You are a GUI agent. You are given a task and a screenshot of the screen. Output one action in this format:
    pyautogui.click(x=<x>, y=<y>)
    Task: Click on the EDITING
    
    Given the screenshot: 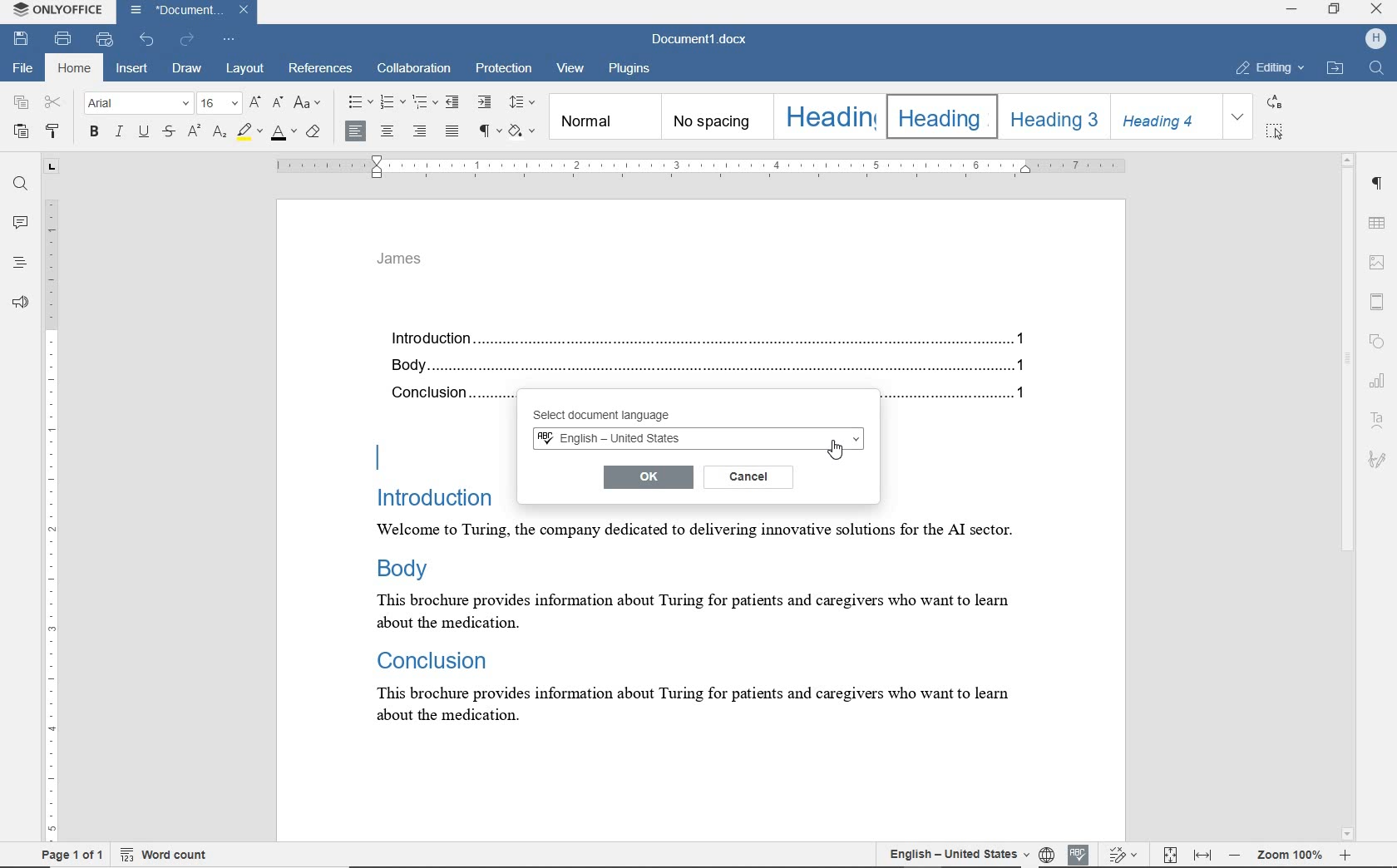 What is the action you would take?
    pyautogui.click(x=1271, y=69)
    